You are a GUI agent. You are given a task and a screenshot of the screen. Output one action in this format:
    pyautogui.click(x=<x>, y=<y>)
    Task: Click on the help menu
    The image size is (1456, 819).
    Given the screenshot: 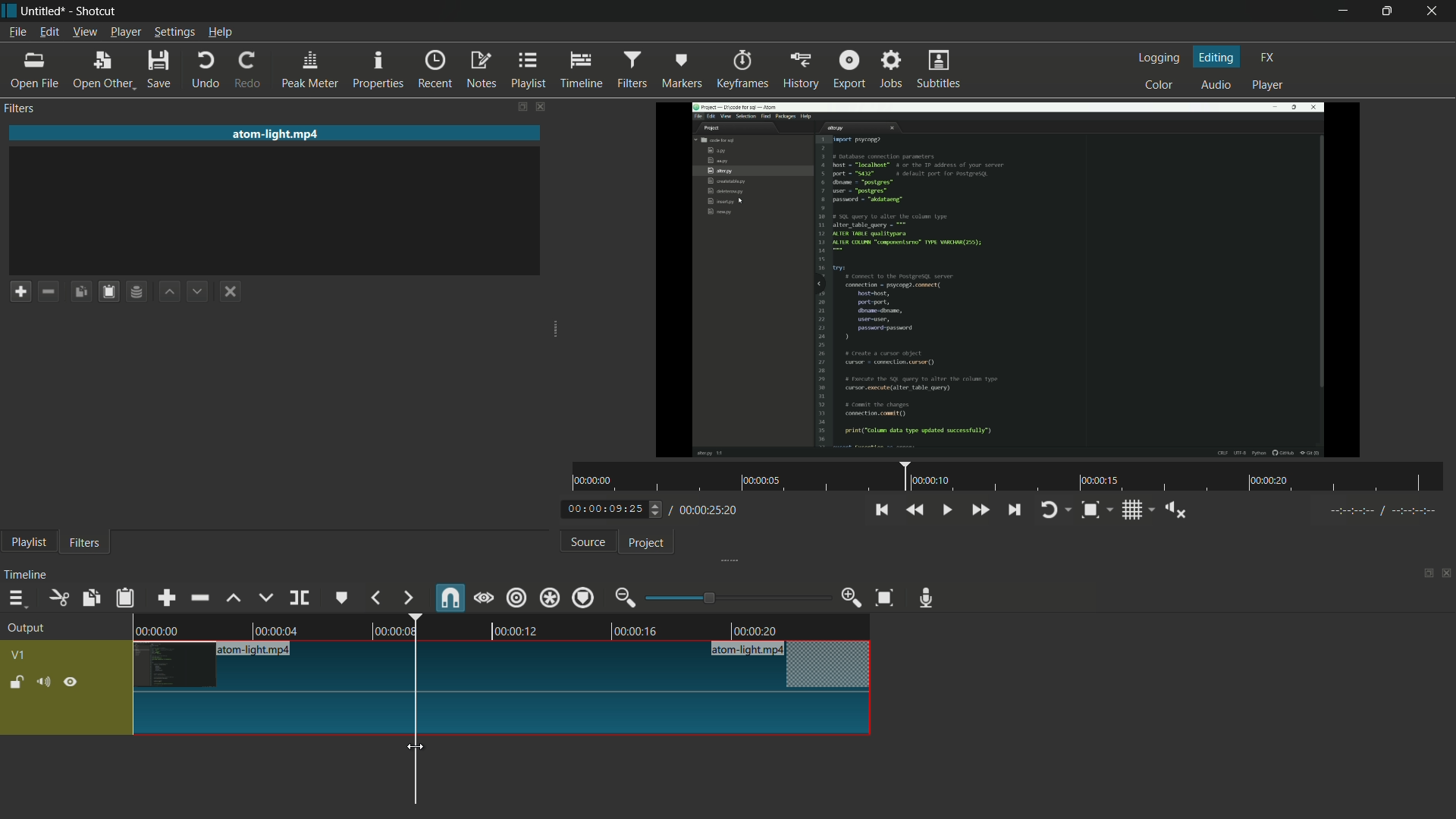 What is the action you would take?
    pyautogui.click(x=220, y=33)
    